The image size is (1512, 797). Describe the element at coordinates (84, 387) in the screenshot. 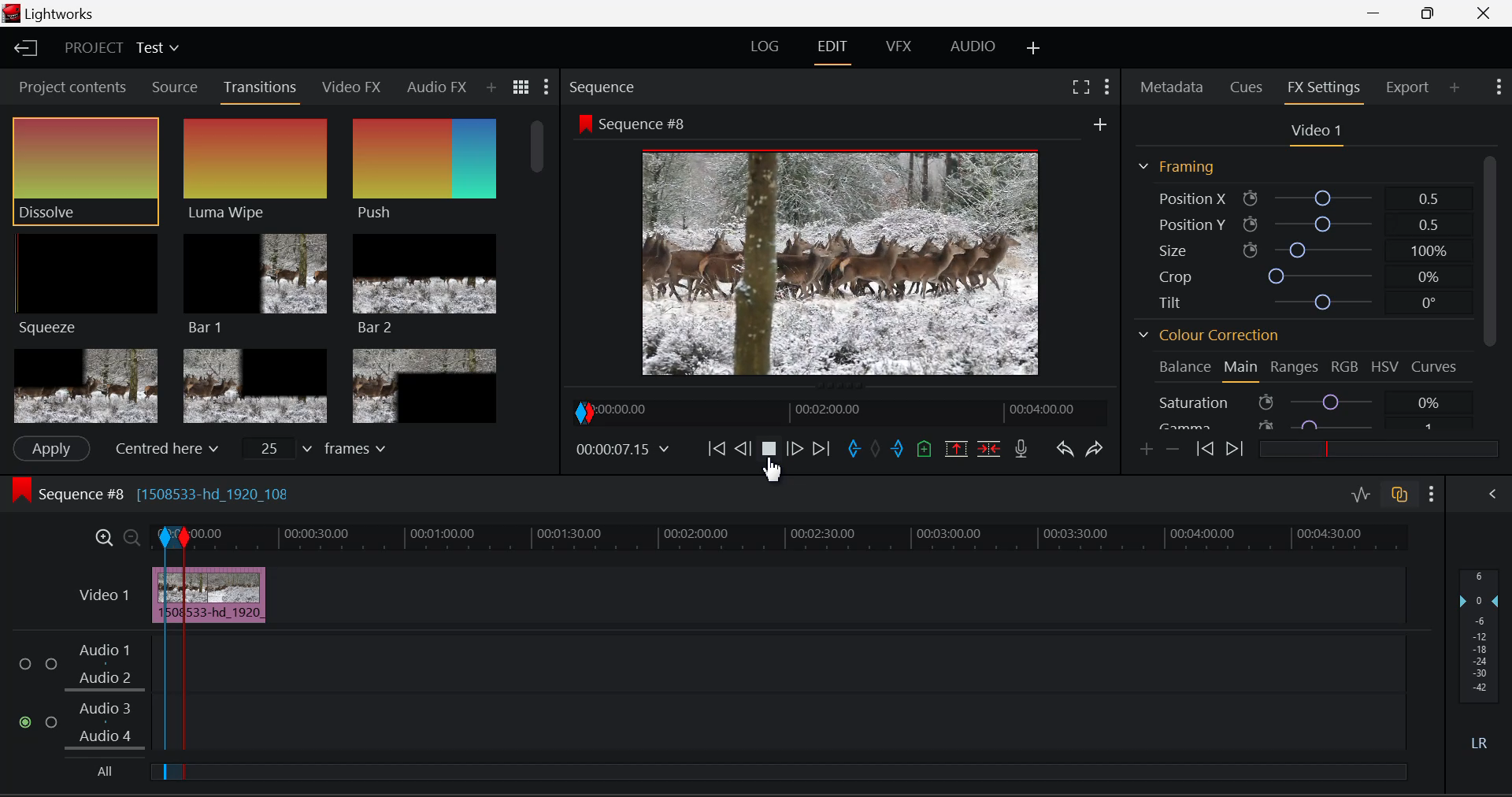

I see `Box 1` at that location.